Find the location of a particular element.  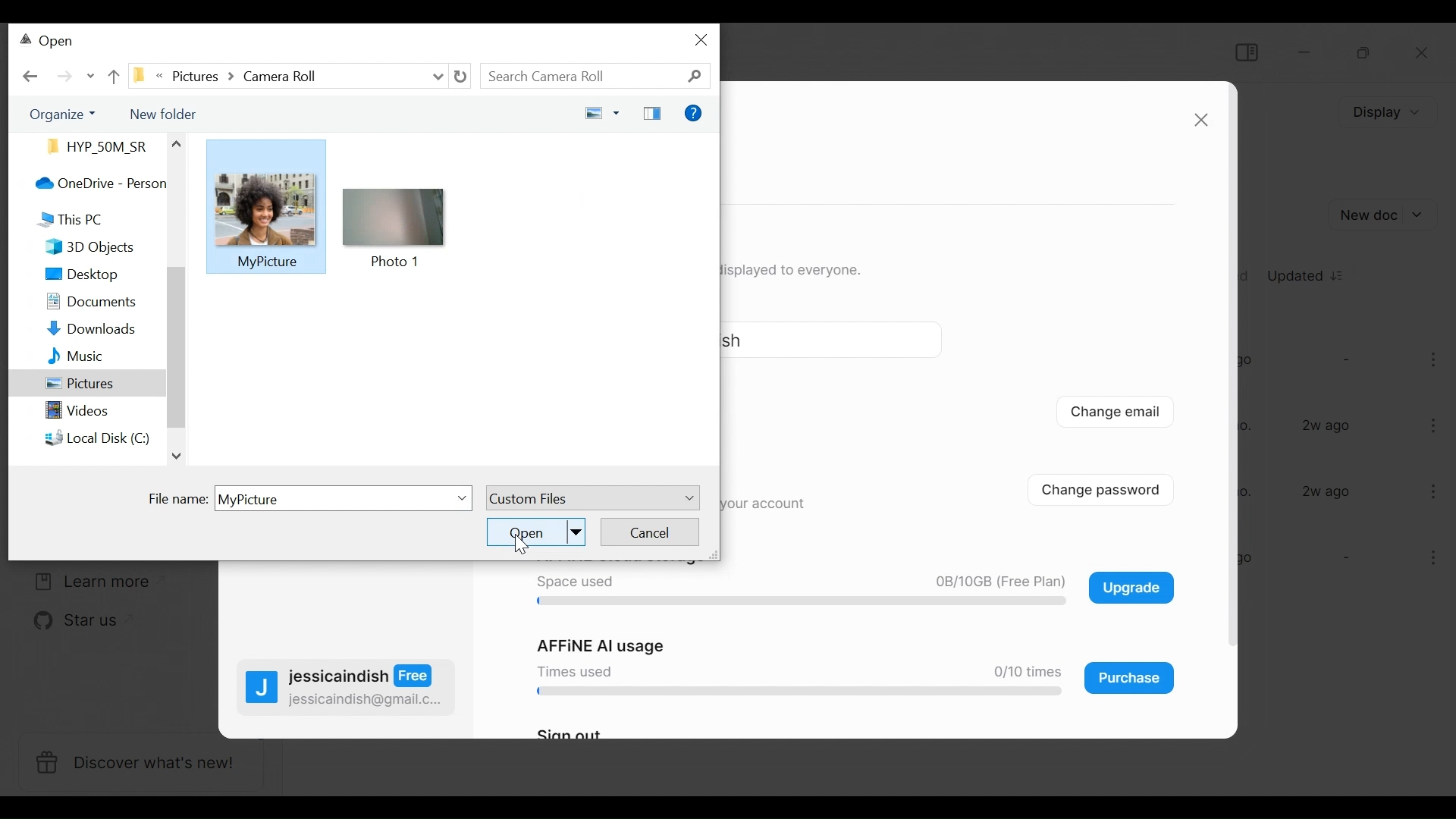

progress menu is located at coordinates (795, 695).